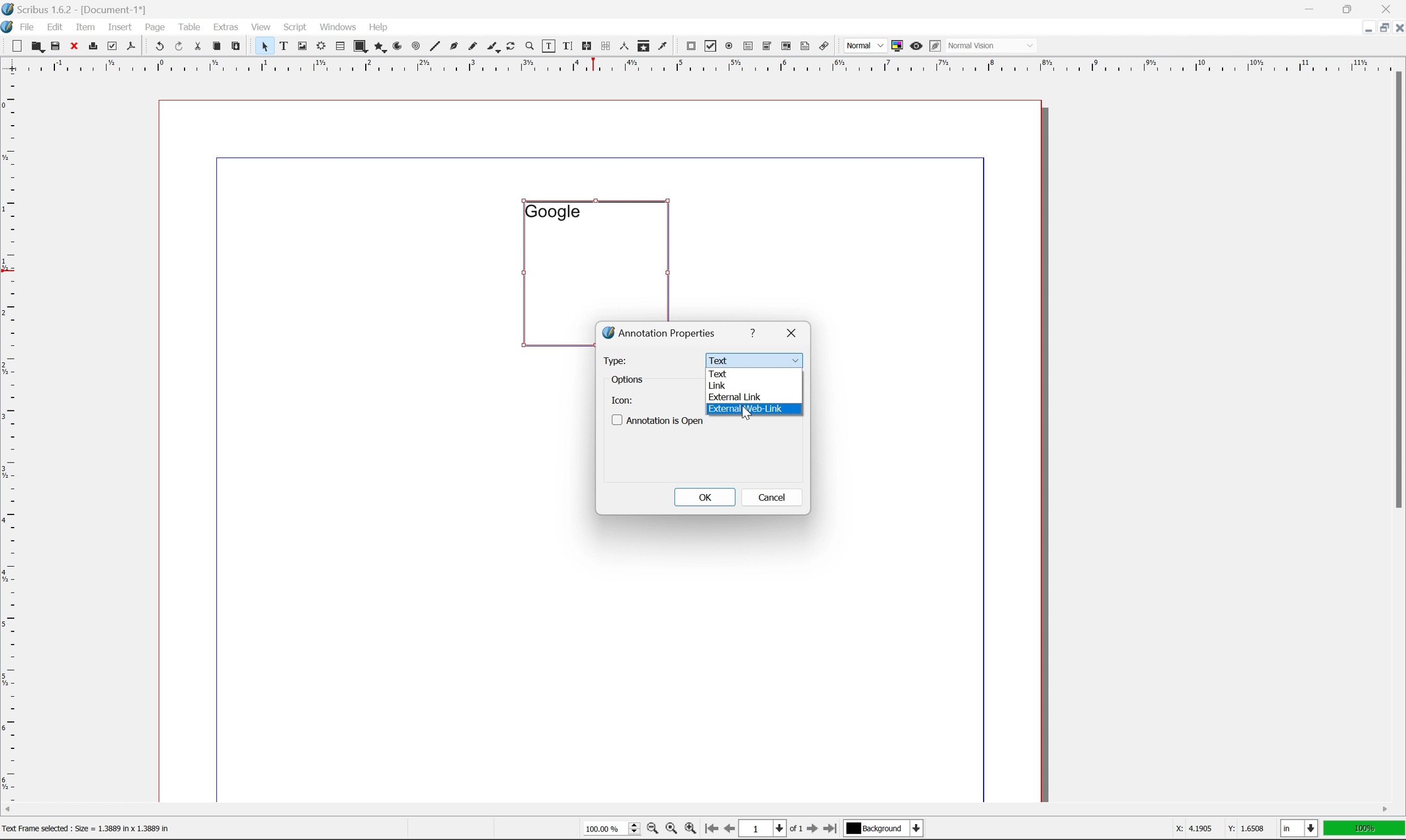 This screenshot has width=1406, height=840. Describe the element at coordinates (710, 829) in the screenshot. I see `go to first page` at that location.